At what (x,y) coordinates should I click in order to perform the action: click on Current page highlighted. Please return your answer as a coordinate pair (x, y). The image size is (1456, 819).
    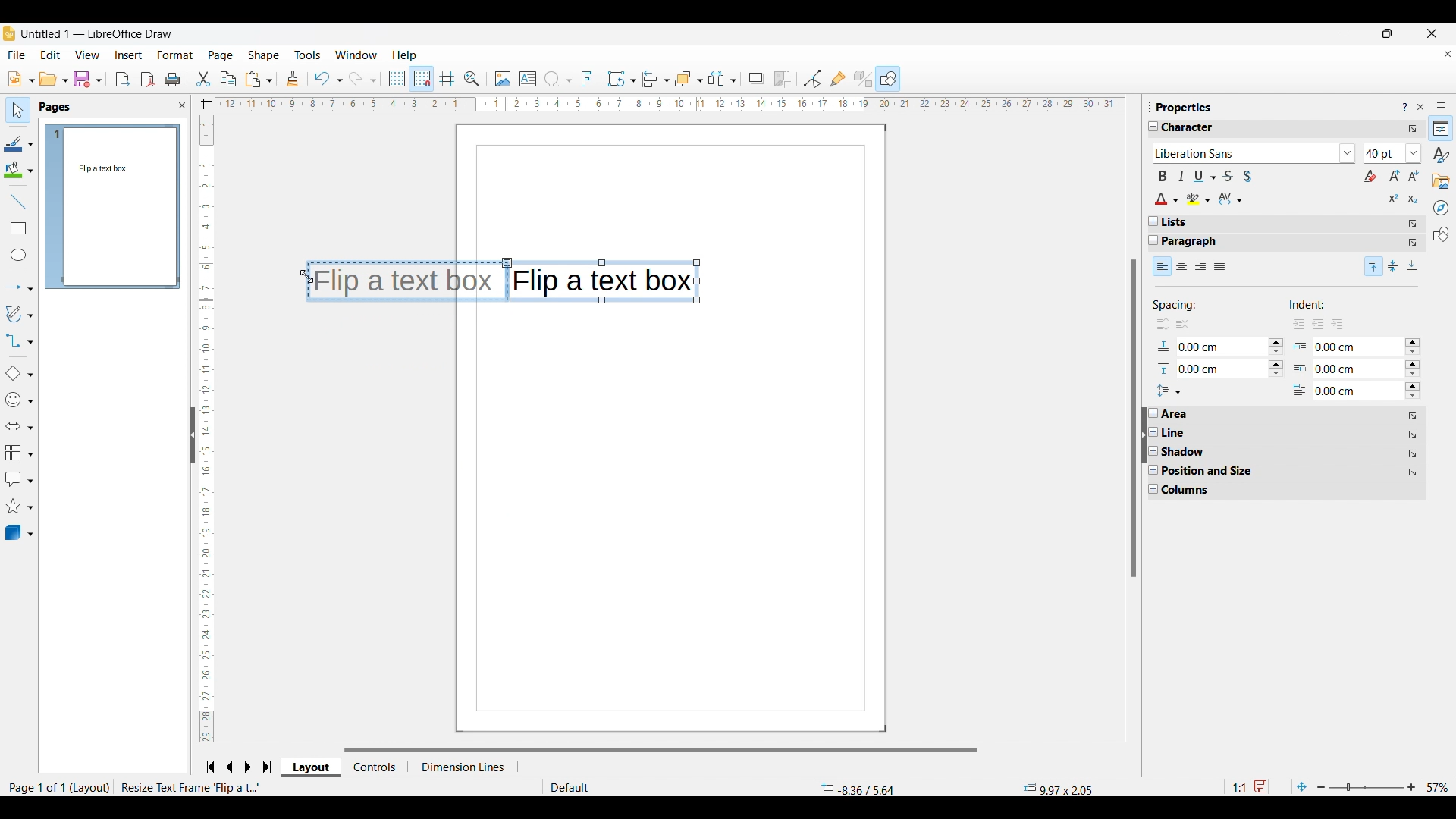
    Looking at the image, I should click on (54, 207).